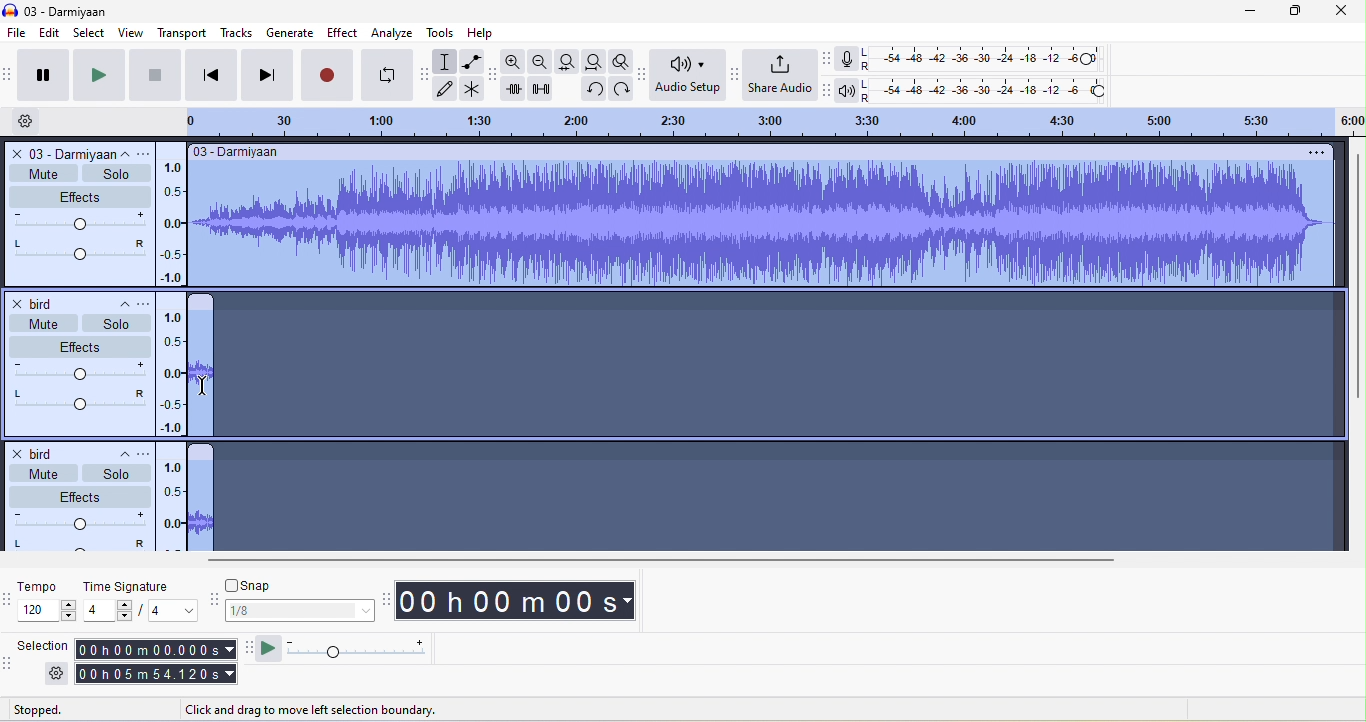 This screenshot has width=1366, height=722. What do you see at coordinates (596, 63) in the screenshot?
I see `fit project to width` at bounding box center [596, 63].